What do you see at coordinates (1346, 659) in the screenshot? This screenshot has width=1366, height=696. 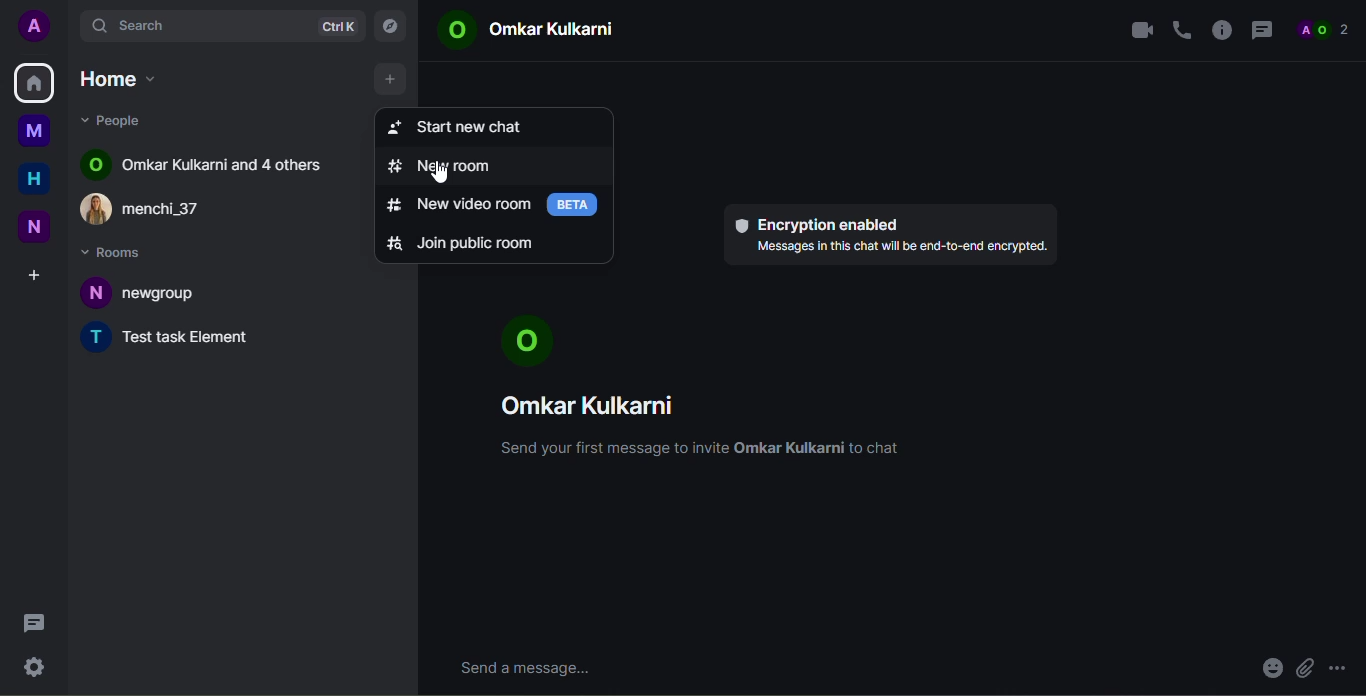 I see `more` at bounding box center [1346, 659].